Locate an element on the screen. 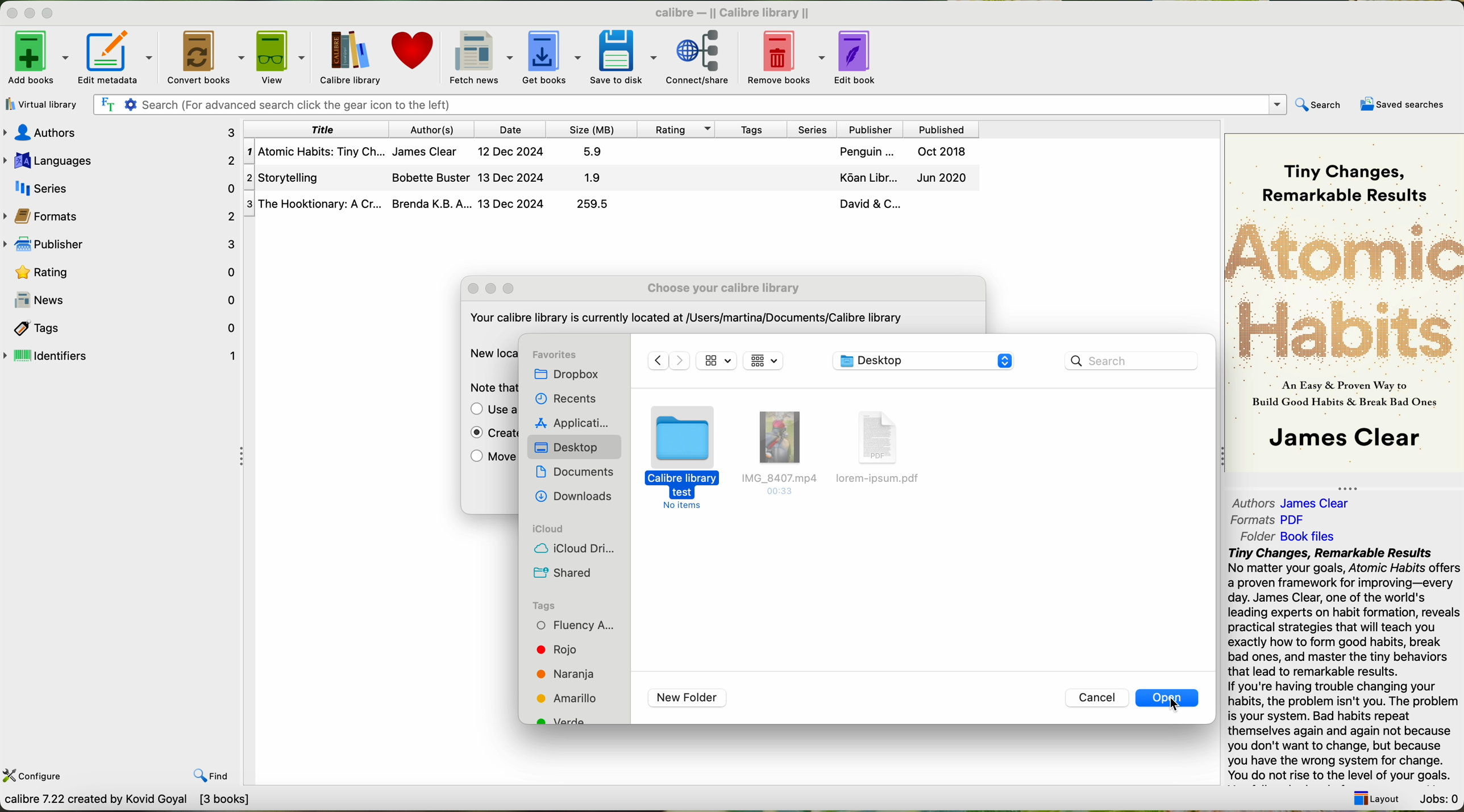  James Clear is located at coordinates (1343, 440).